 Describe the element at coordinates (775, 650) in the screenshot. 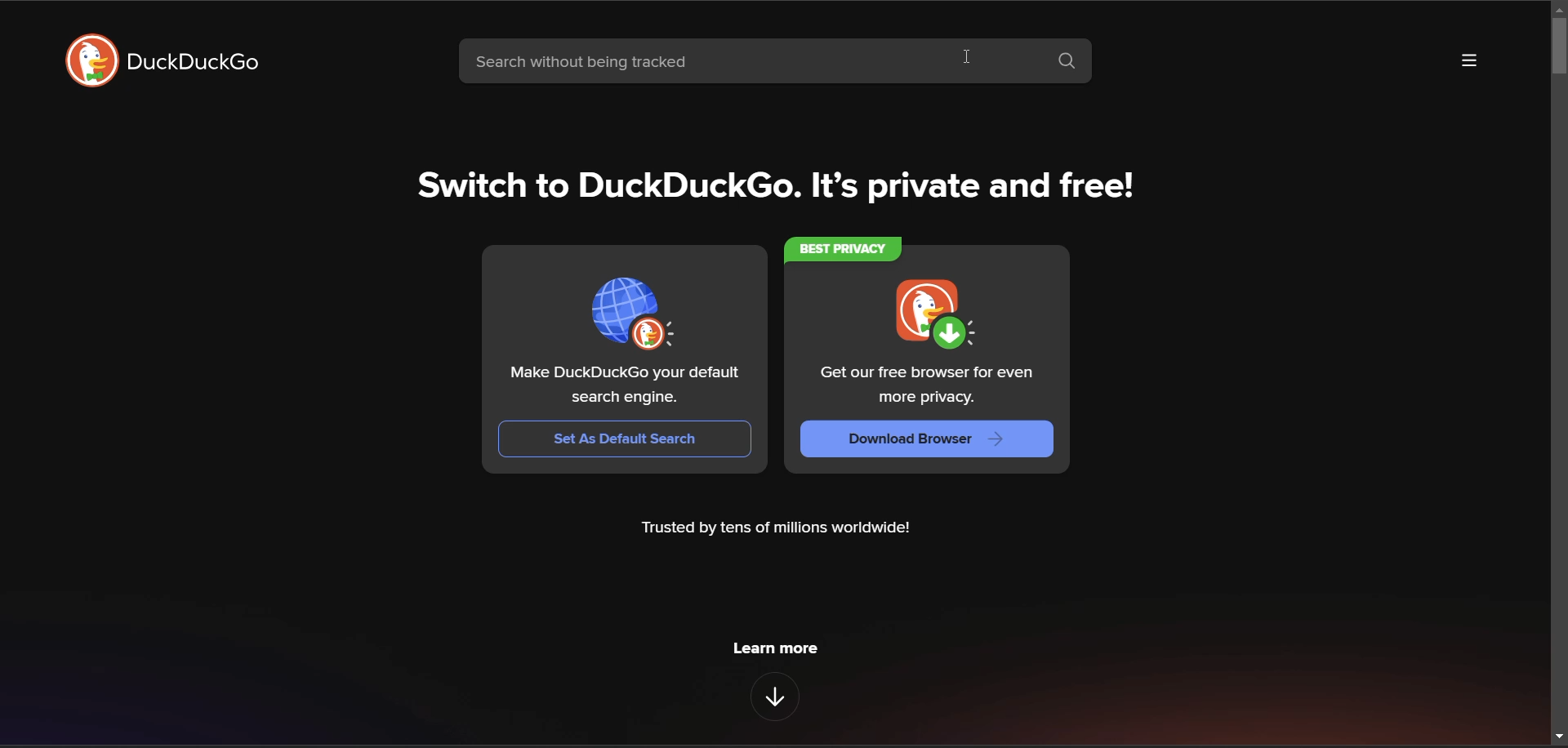

I see `learn more` at that location.